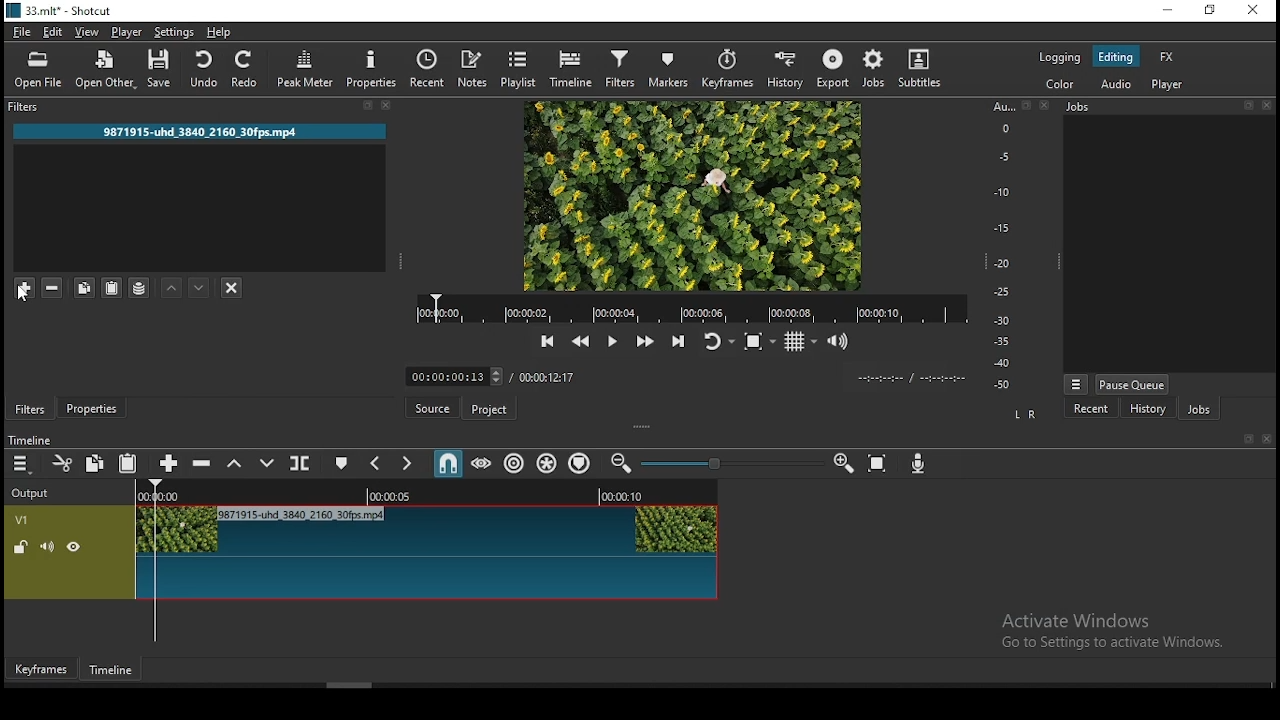 This screenshot has width=1280, height=720. What do you see at coordinates (839, 342) in the screenshot?
I see `show the volume control` at bounding box center [839, 342].